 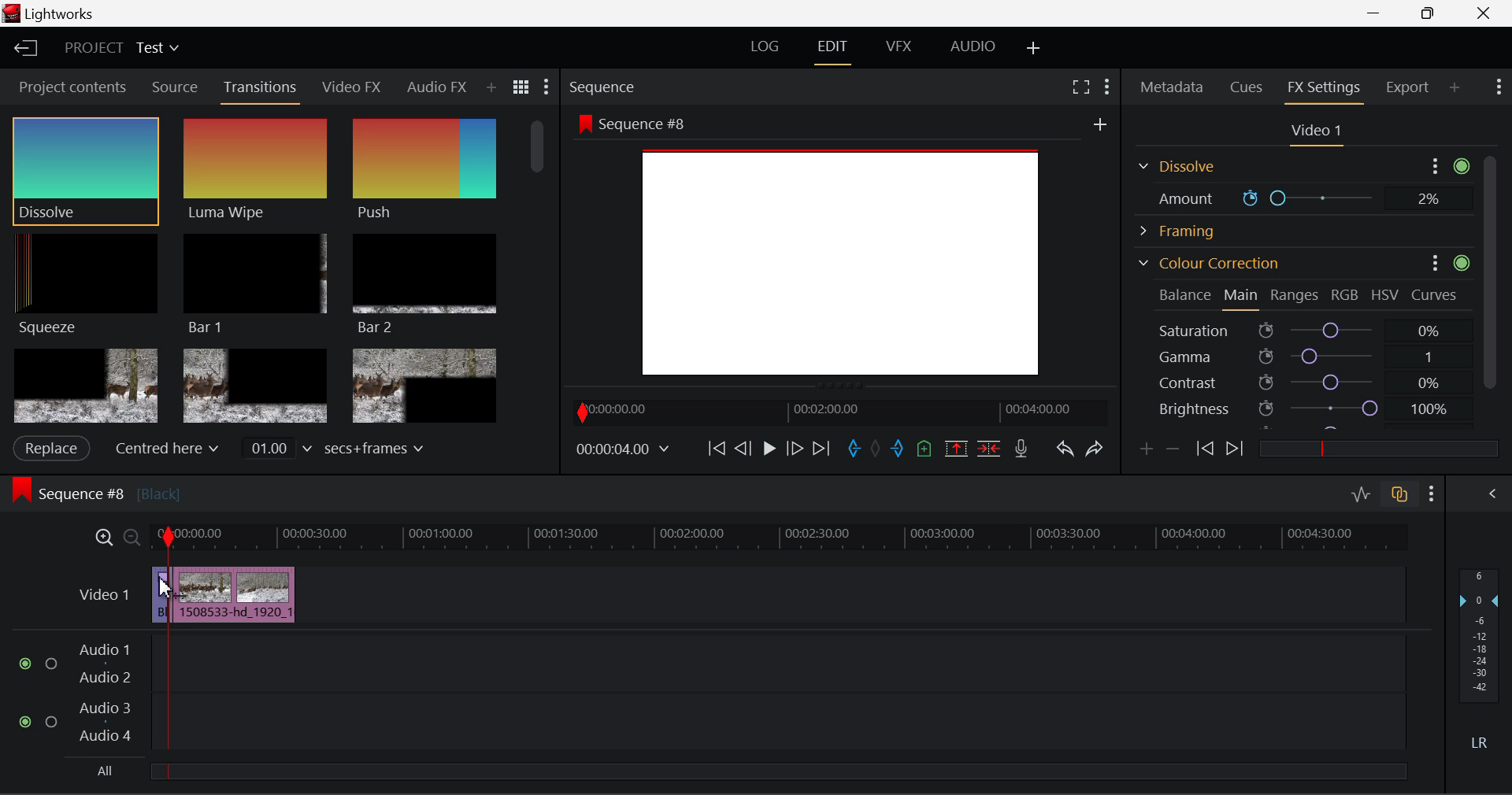 What do you see at coordinates (256, 387) in the screenshot?
I see `Box 2` at bounding box center [256, 387].